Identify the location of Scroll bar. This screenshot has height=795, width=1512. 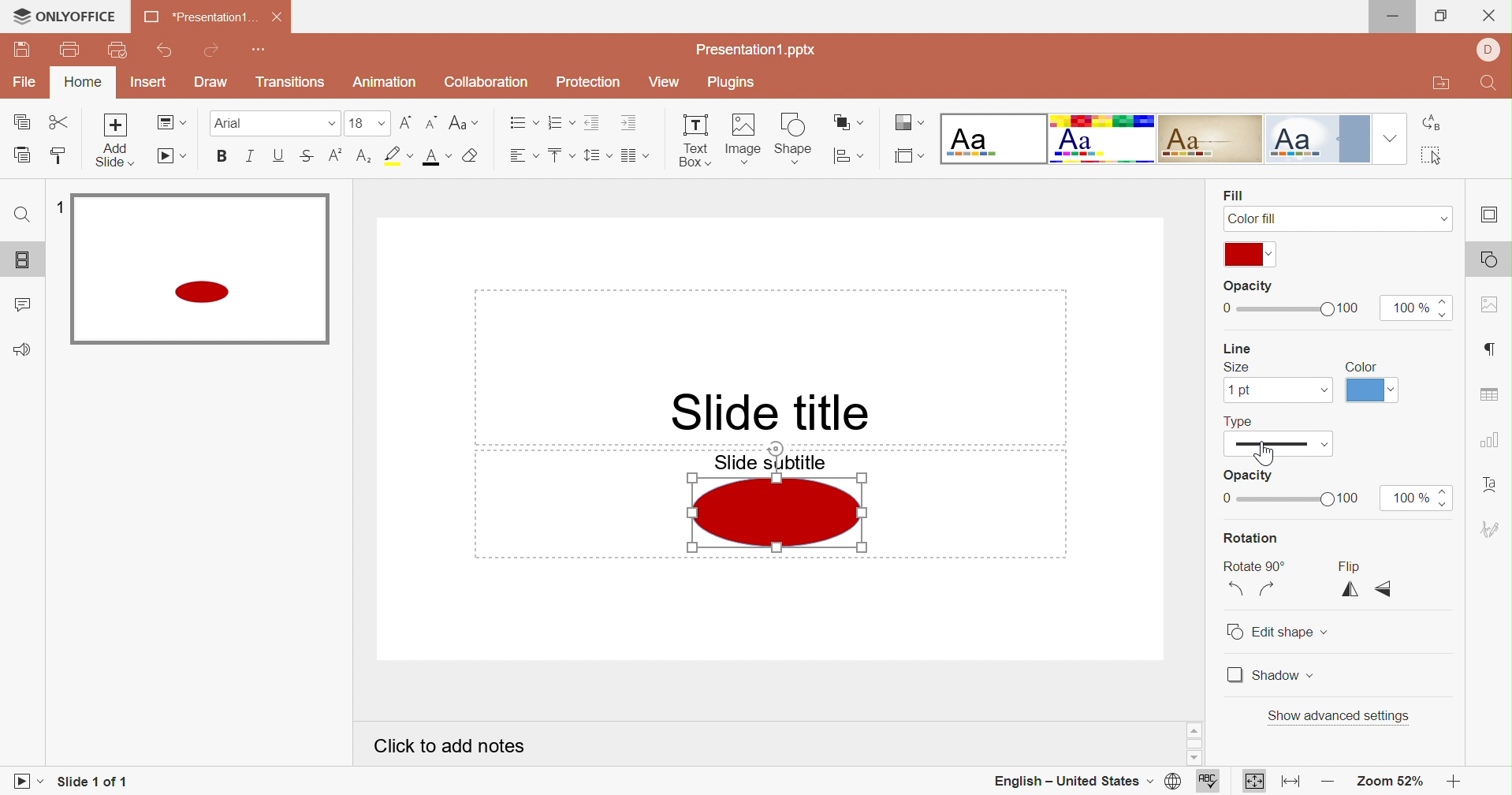
(1199, 745).